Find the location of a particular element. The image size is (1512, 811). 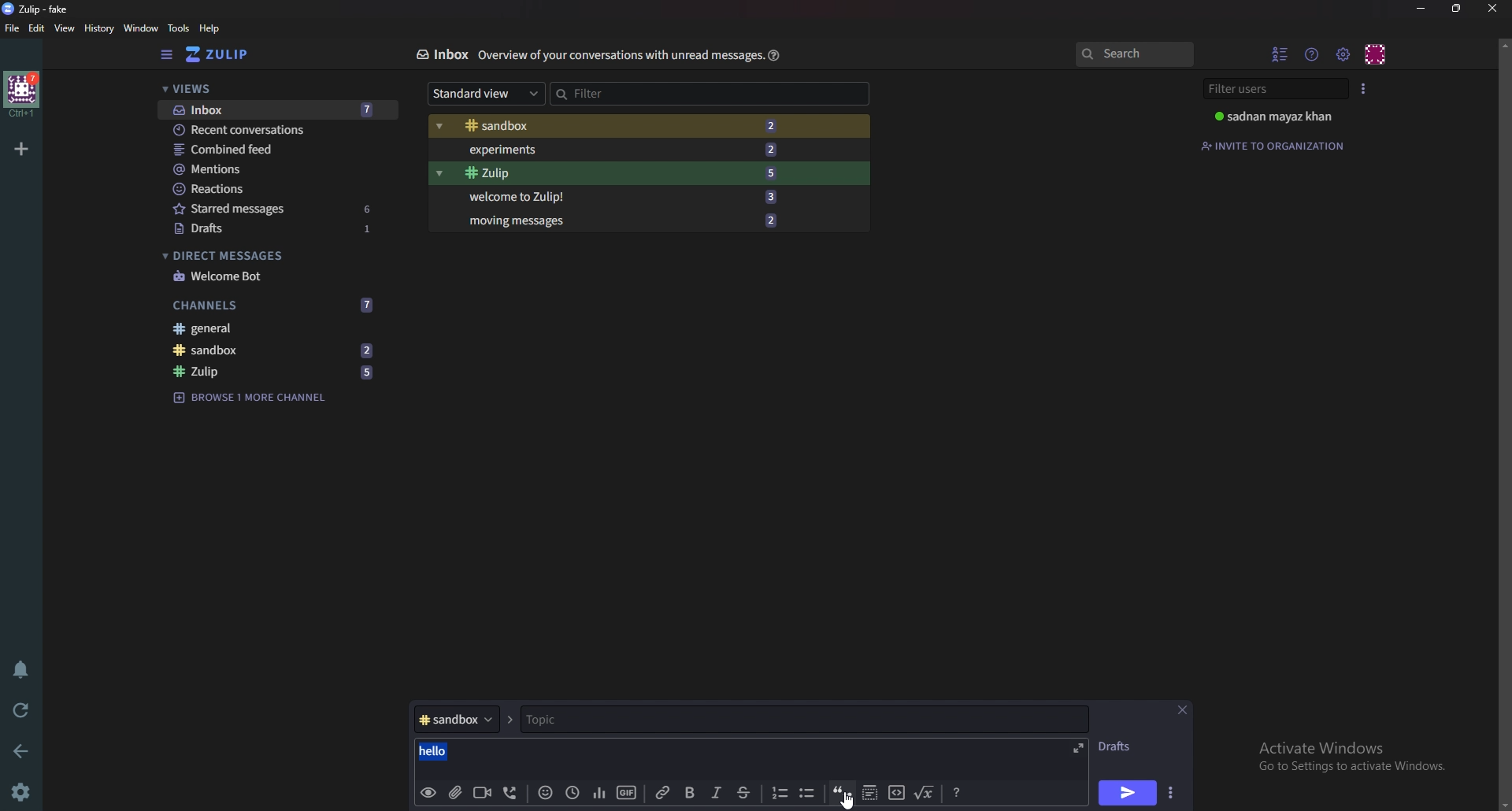

Emoji is located at coordinates (547, 792).